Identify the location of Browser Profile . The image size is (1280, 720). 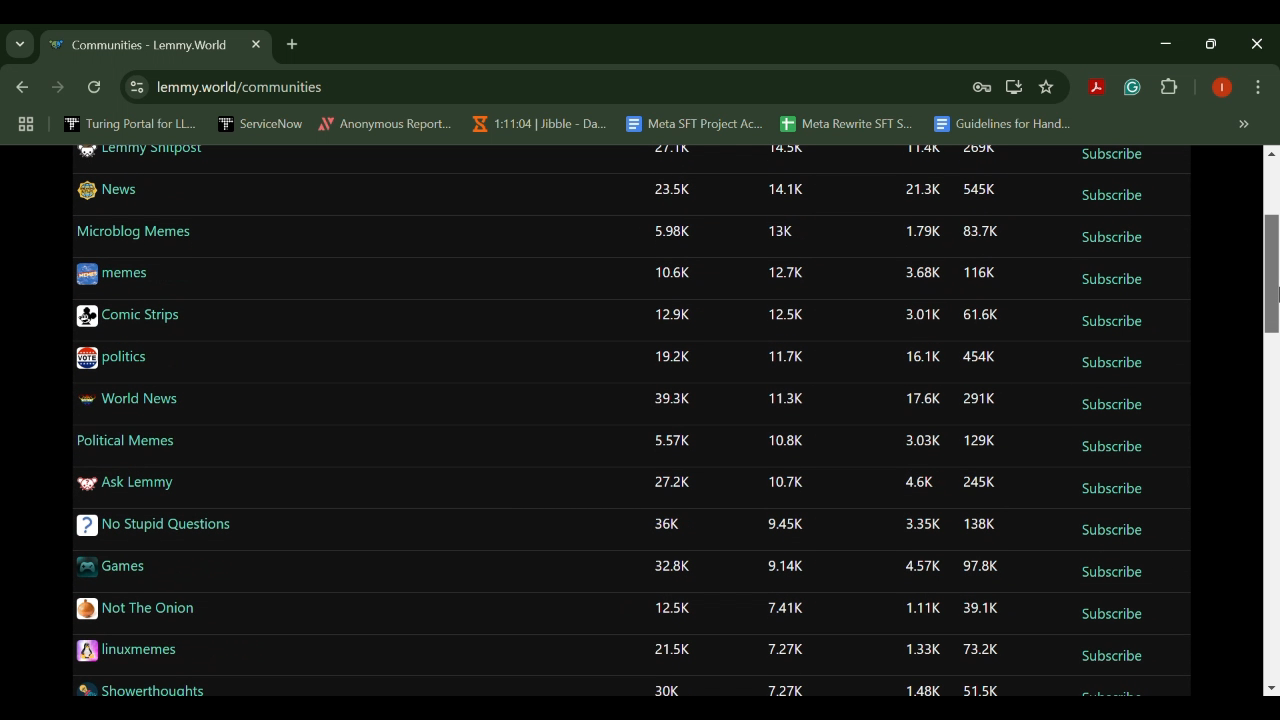
(1222, 89).